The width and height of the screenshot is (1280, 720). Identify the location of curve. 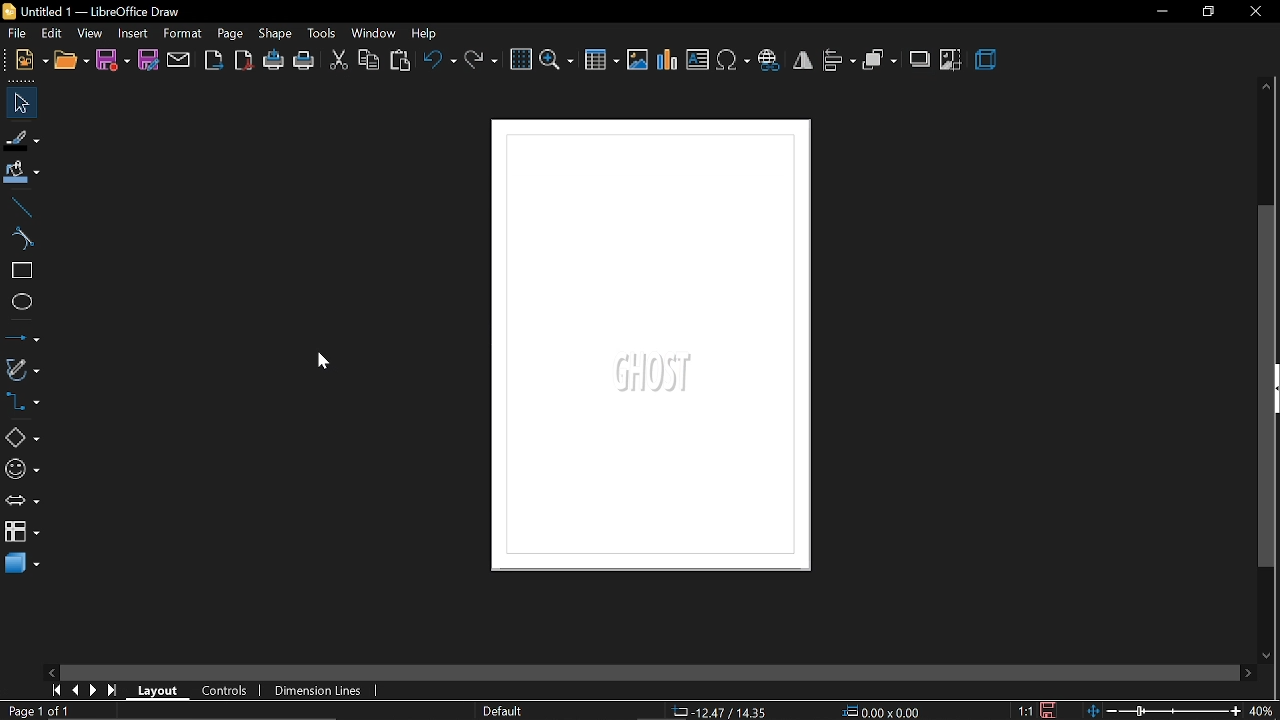
(18, 240).